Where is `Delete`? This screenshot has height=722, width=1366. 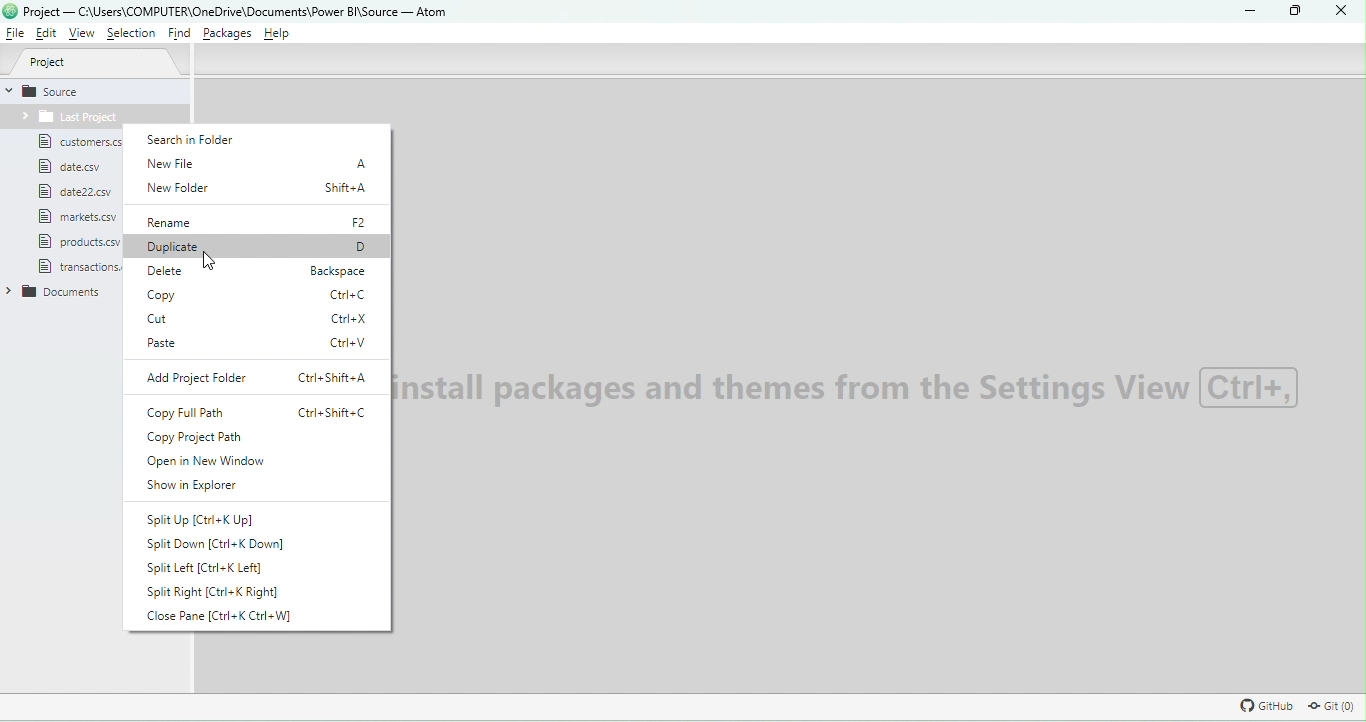 Delete is located at coordinates (256, 274).